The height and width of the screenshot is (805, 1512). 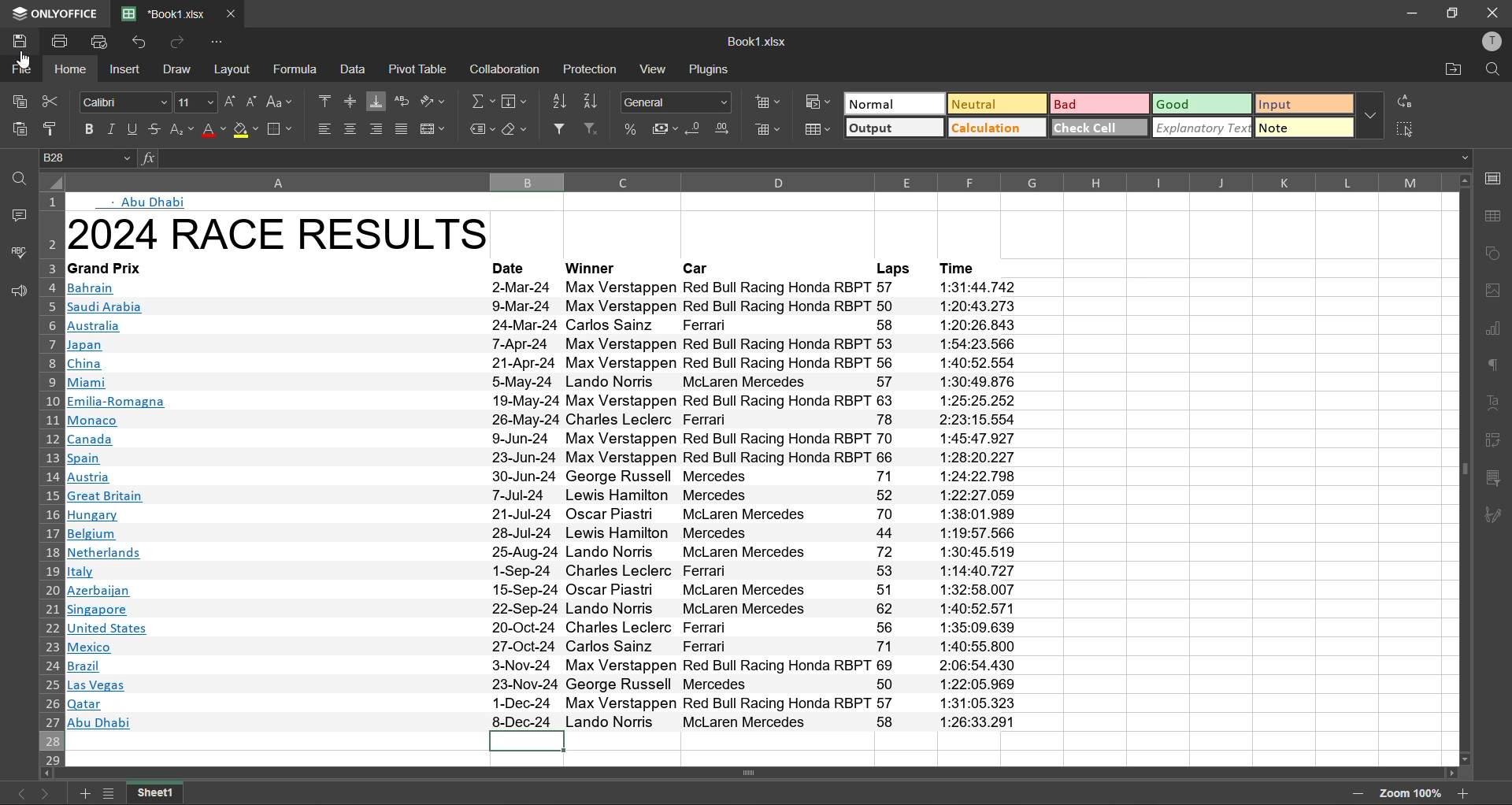 I want to click on cut, so click(x=52, y=103).